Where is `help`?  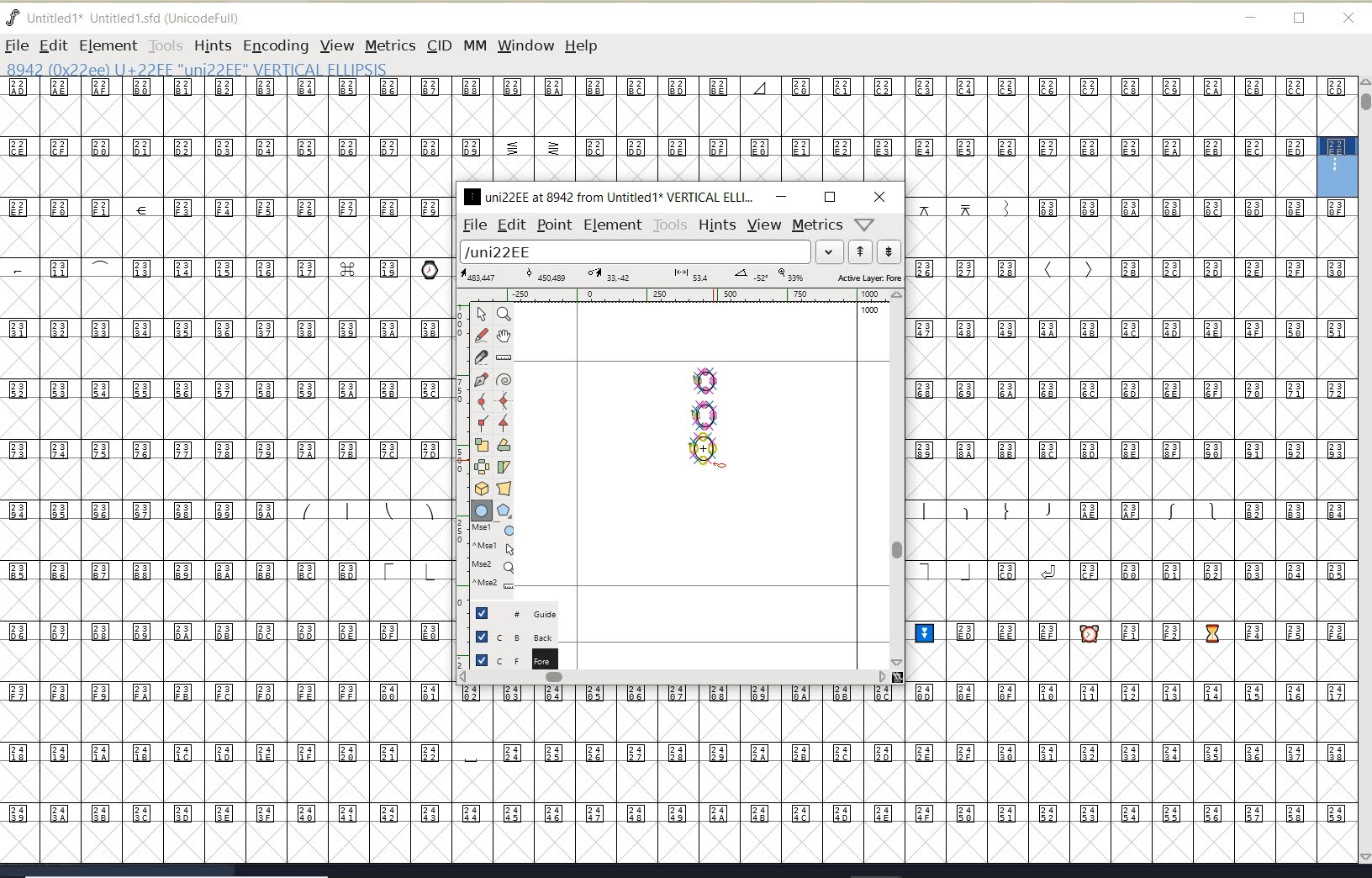
help is located at coordinates (584, 47).